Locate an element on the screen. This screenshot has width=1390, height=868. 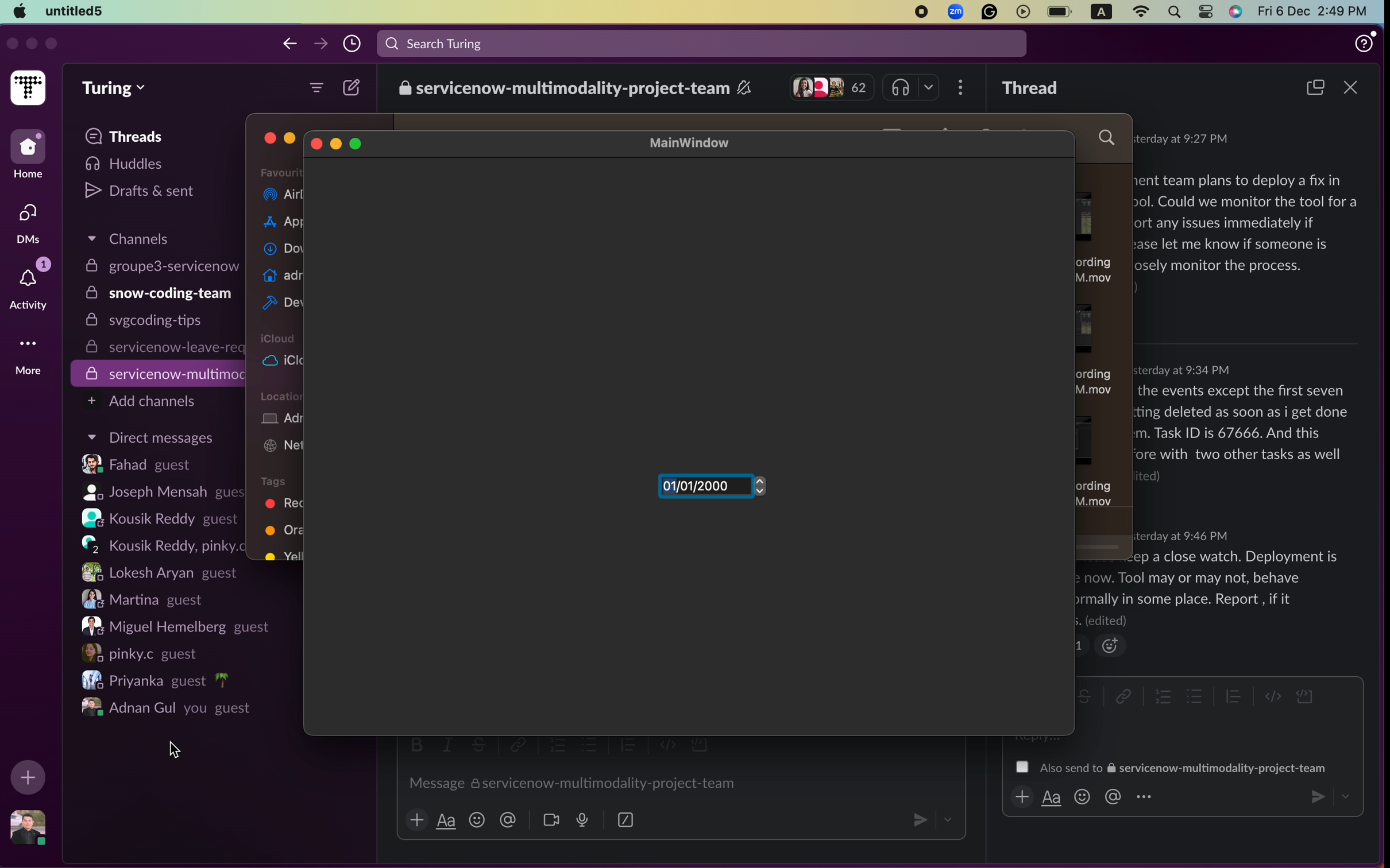
snow-coding-team is located at coordinates (159, 294).